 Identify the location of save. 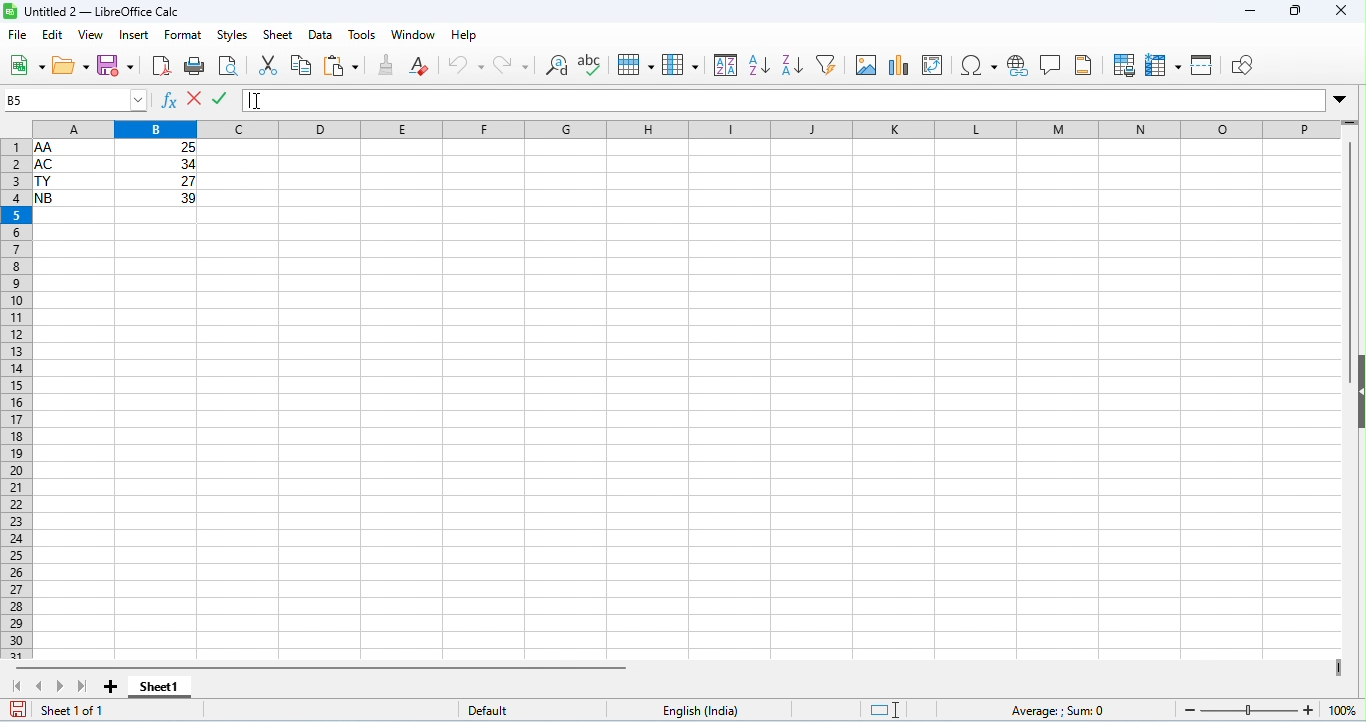
(118, 65).